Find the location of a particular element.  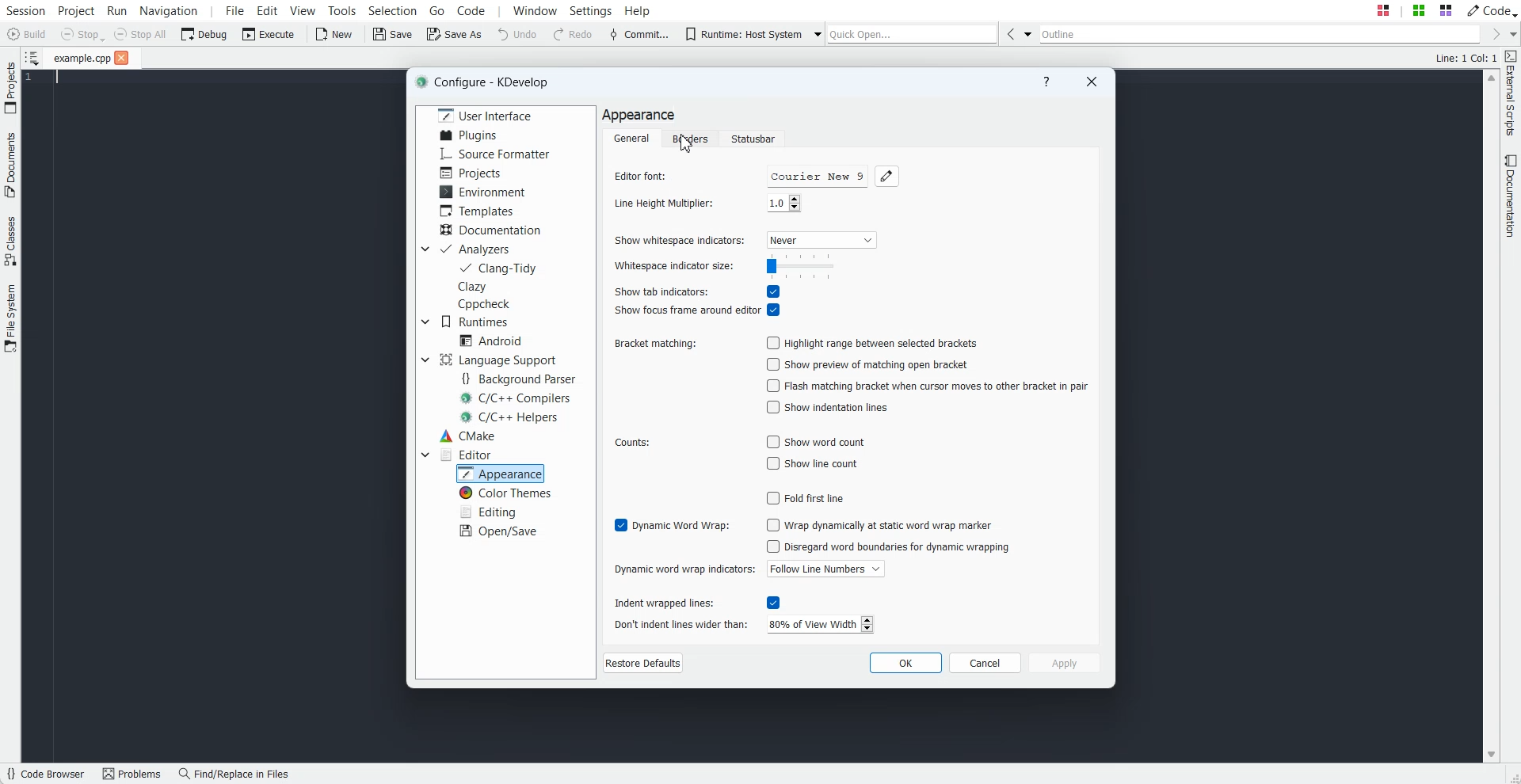

Restore Defaults is located at coordinates (644, 663).